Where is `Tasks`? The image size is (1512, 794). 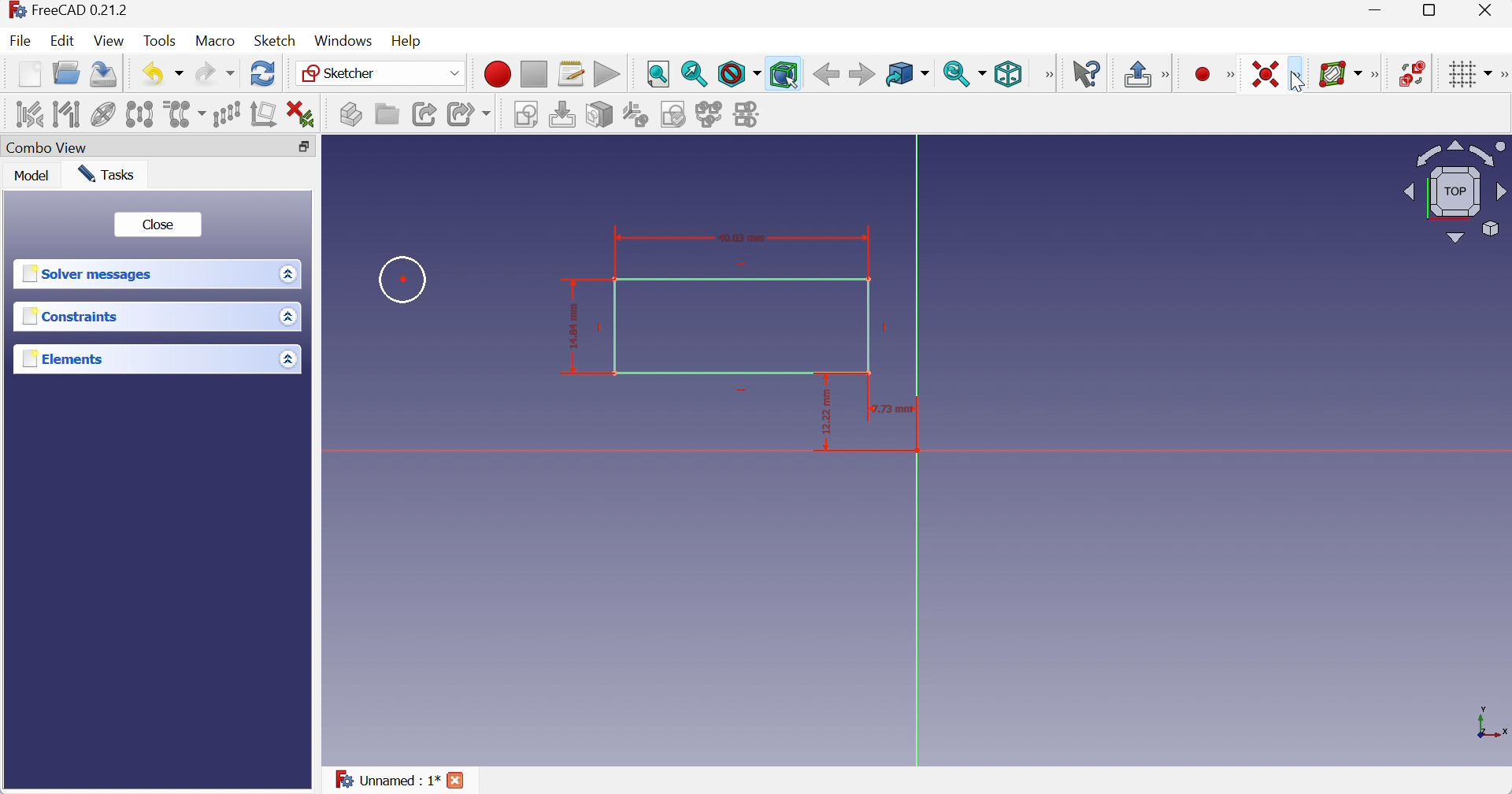
Tasks is located at coordinates (106, 174).